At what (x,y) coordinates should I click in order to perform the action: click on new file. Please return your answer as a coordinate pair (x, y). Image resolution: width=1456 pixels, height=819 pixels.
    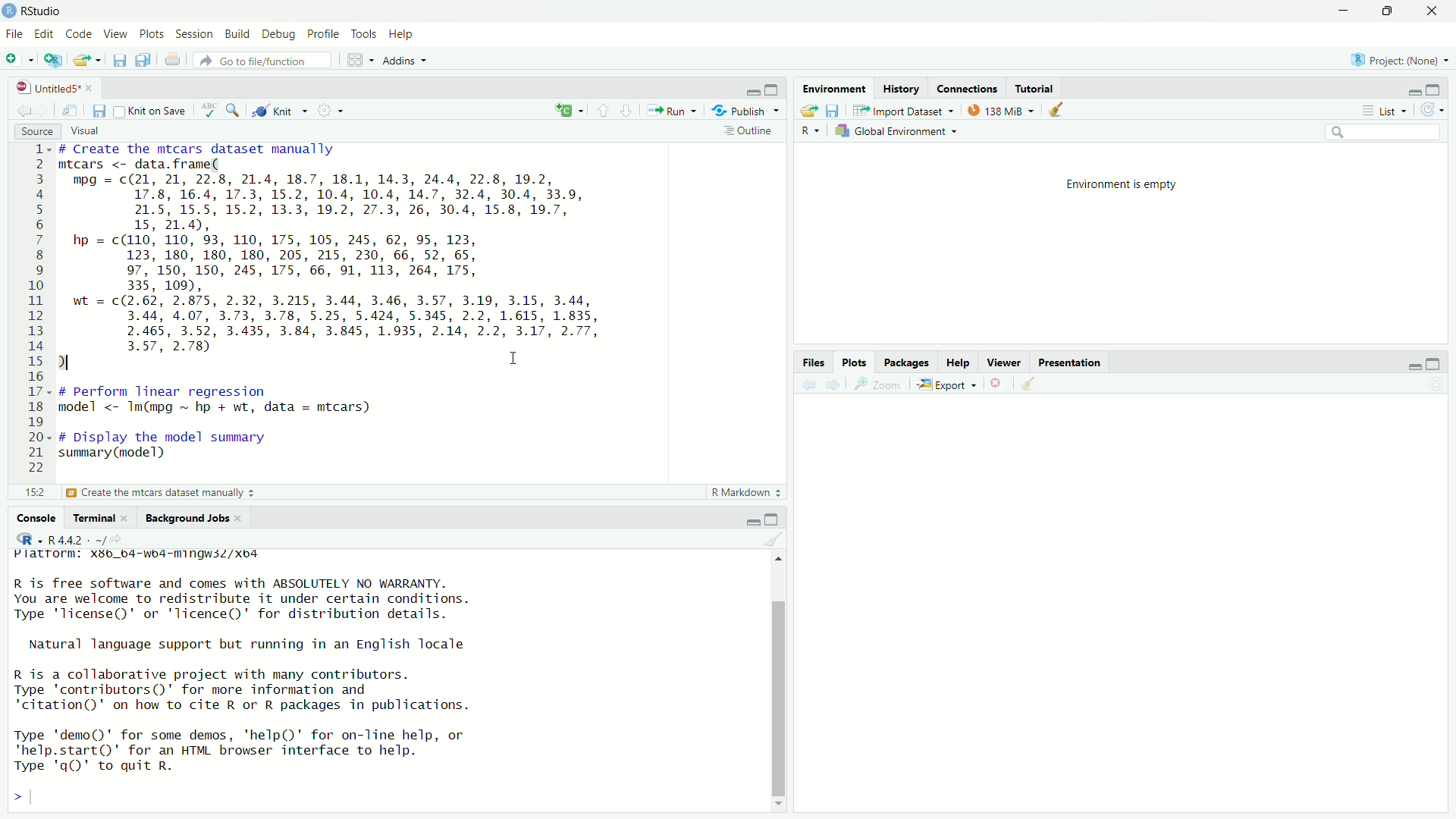
    Looking at the image, I should click on (14, 58).